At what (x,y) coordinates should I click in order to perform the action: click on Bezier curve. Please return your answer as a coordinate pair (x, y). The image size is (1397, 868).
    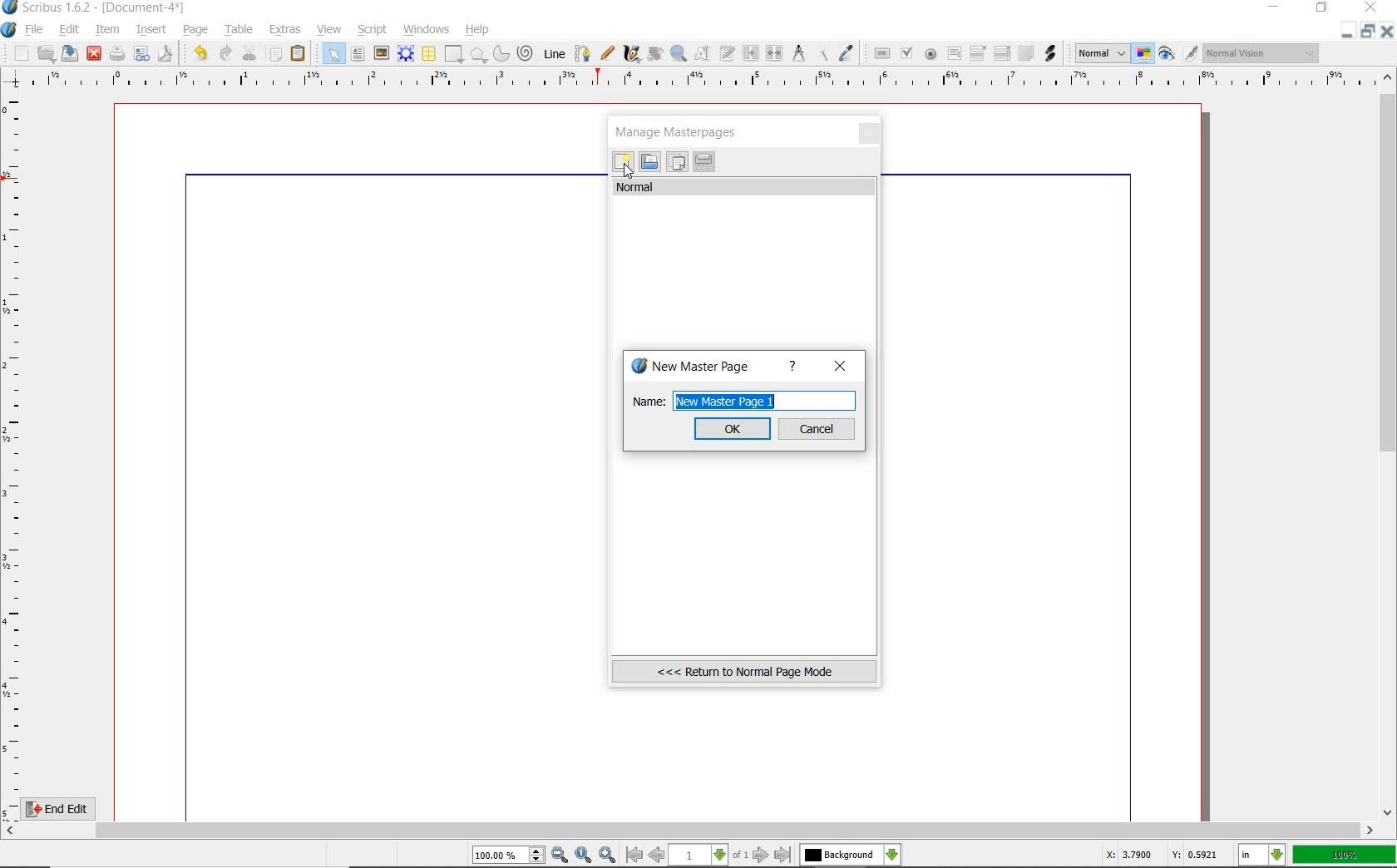
    Looking at the image, I should click on (580, 53).